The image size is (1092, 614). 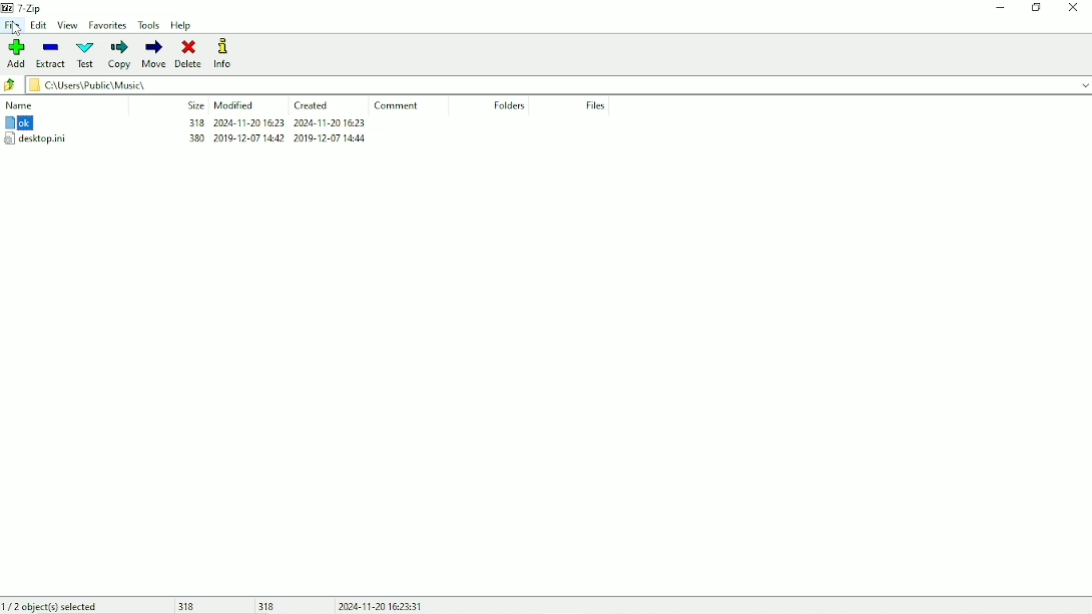 What do you see at coordinates (27, 8) in the screenshot?
I see `7 - Zip` at bounding box center [27, 8].